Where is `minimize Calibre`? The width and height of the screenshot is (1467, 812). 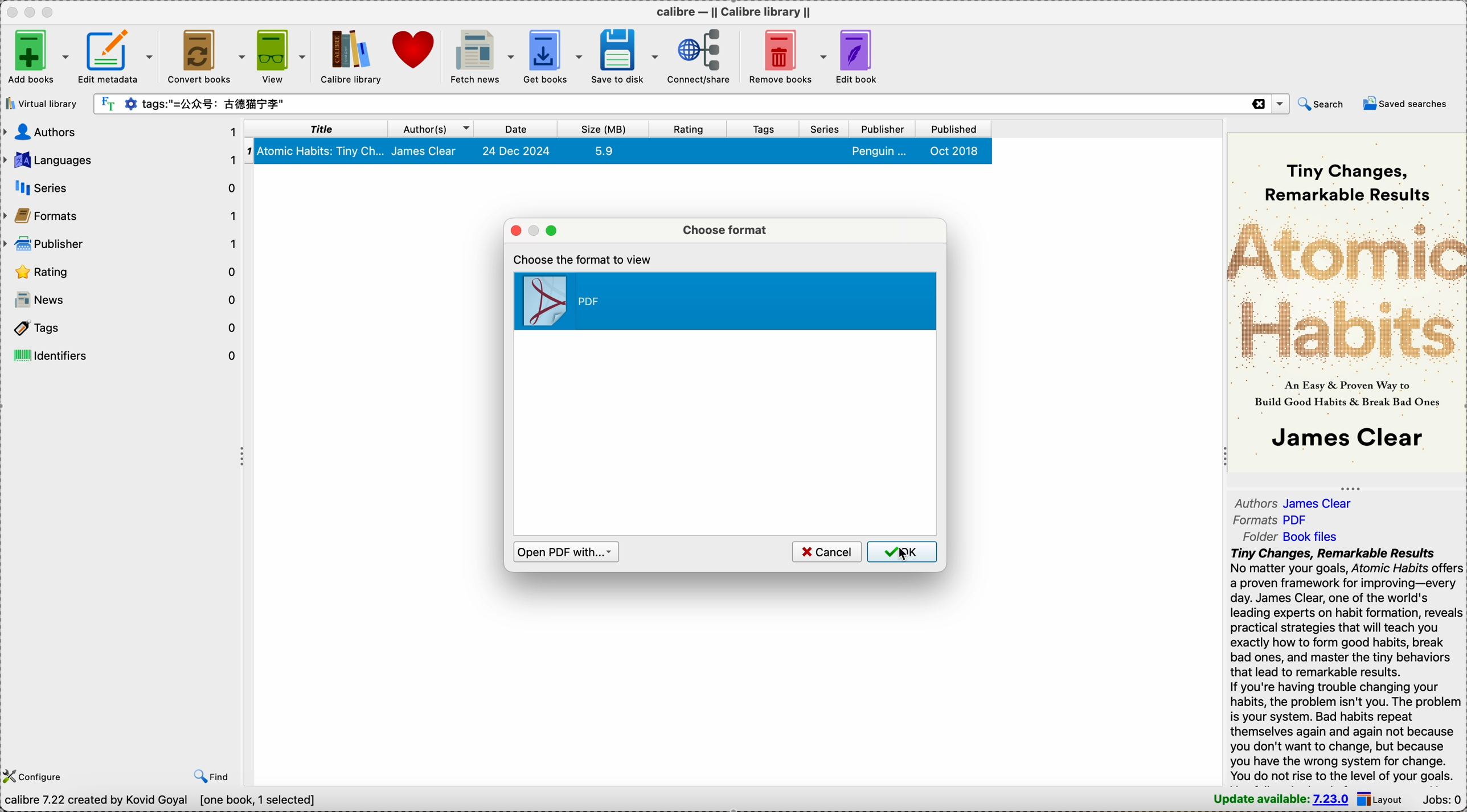 minimize Calibre is located at coordinates (28, 12).